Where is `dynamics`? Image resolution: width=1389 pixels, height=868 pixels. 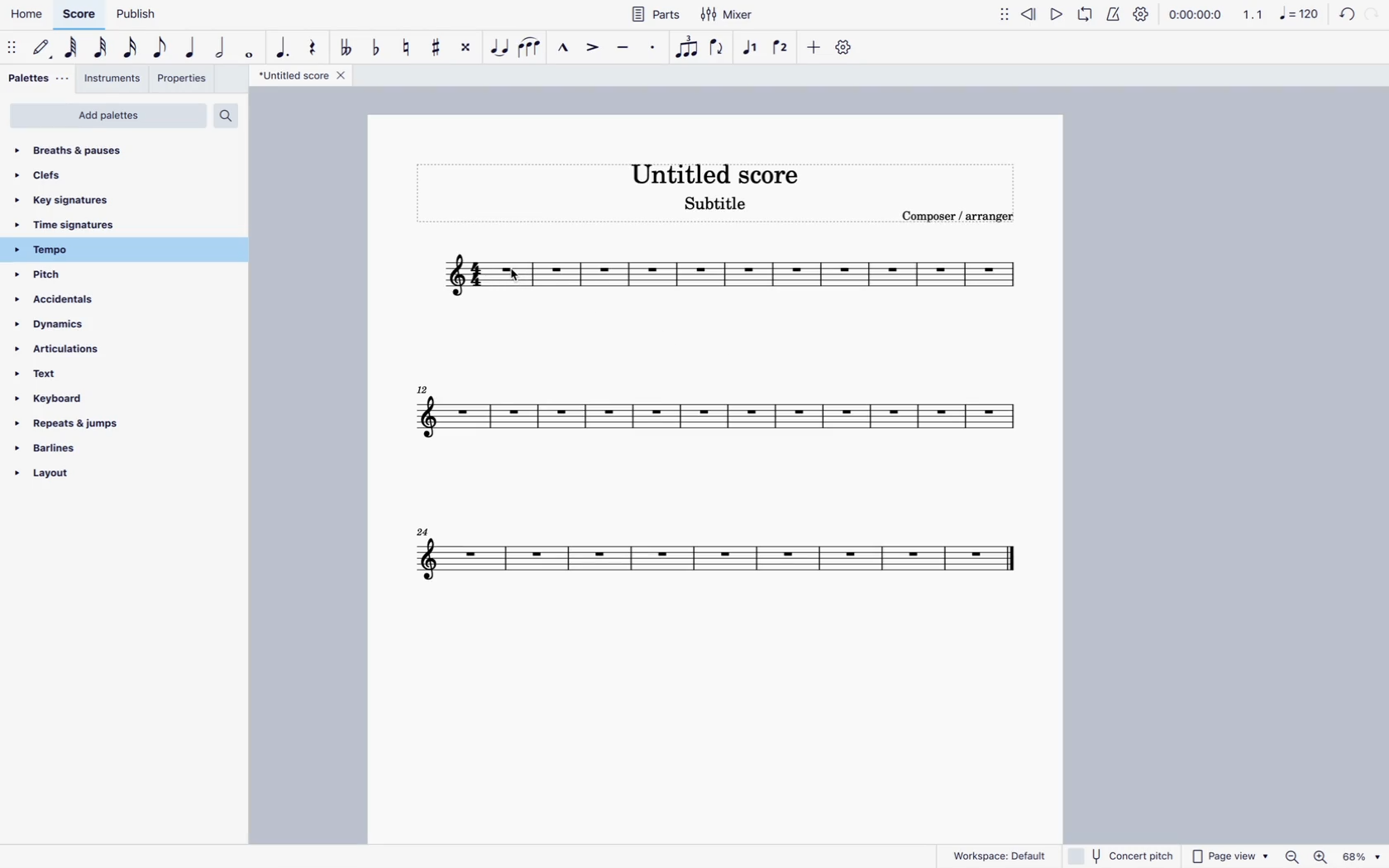 dynamics is located at coordinates (91, 326).